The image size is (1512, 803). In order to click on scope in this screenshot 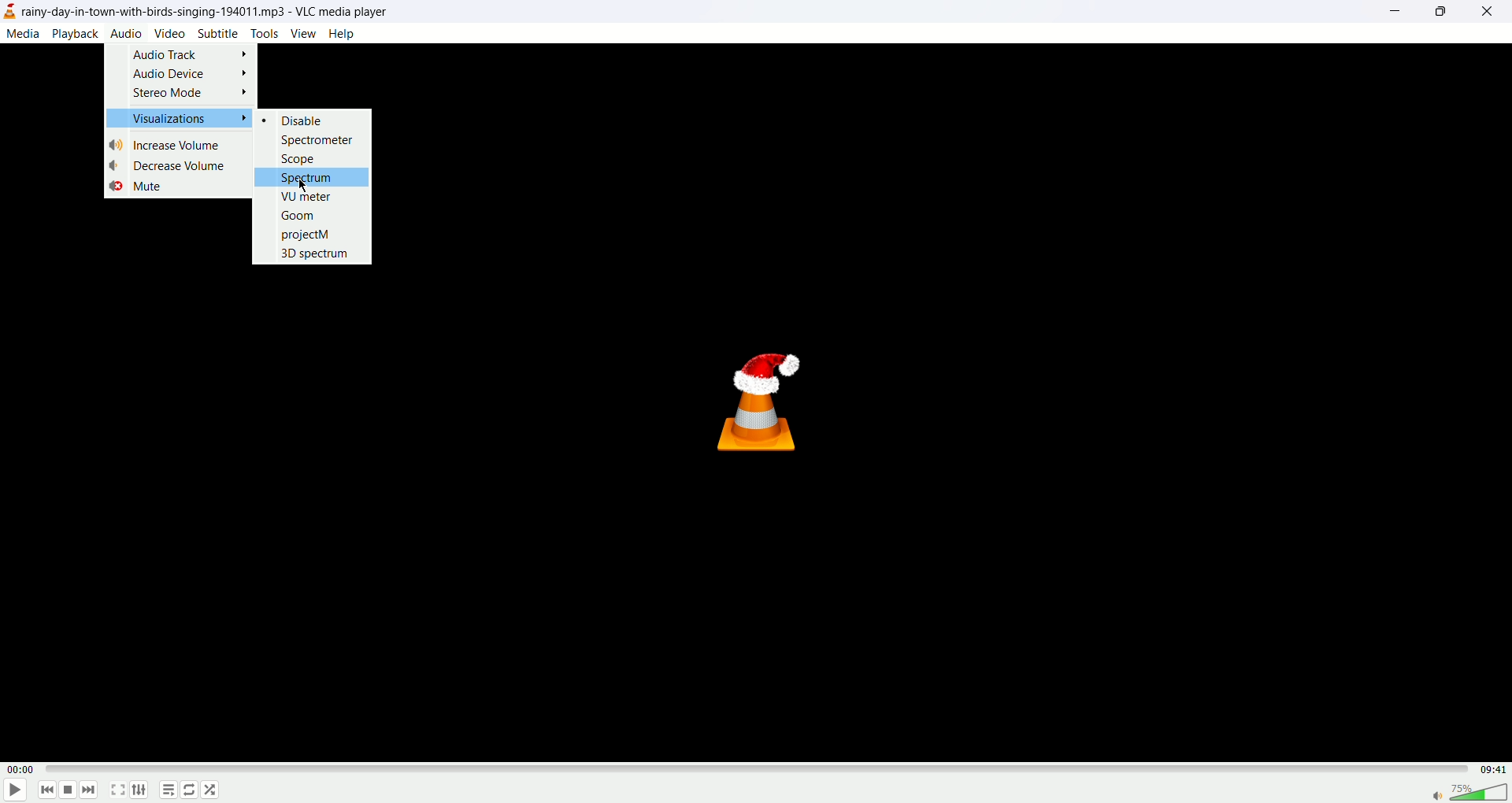, I will do `click(299, 157)`.